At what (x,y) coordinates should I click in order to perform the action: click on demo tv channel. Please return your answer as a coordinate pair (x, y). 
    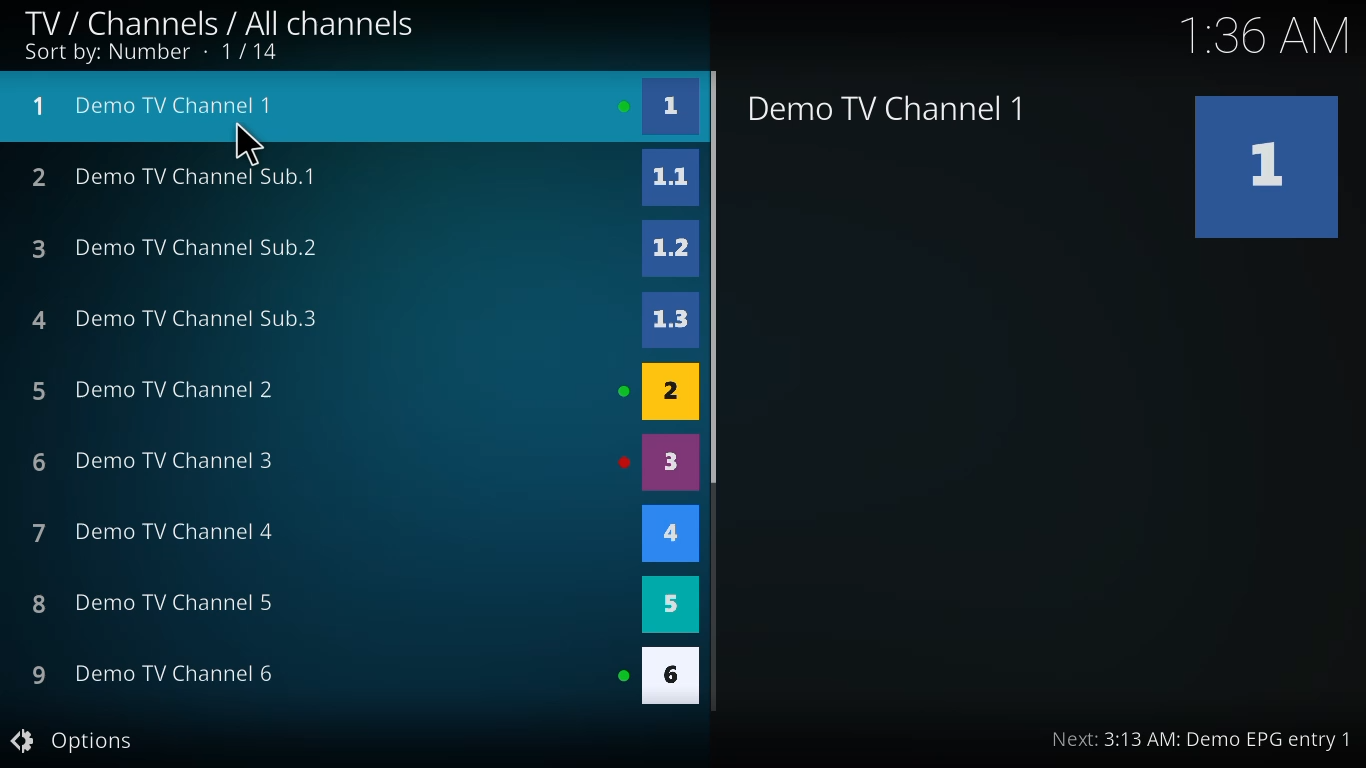
    Looking at the image, I should click on (891, 108).